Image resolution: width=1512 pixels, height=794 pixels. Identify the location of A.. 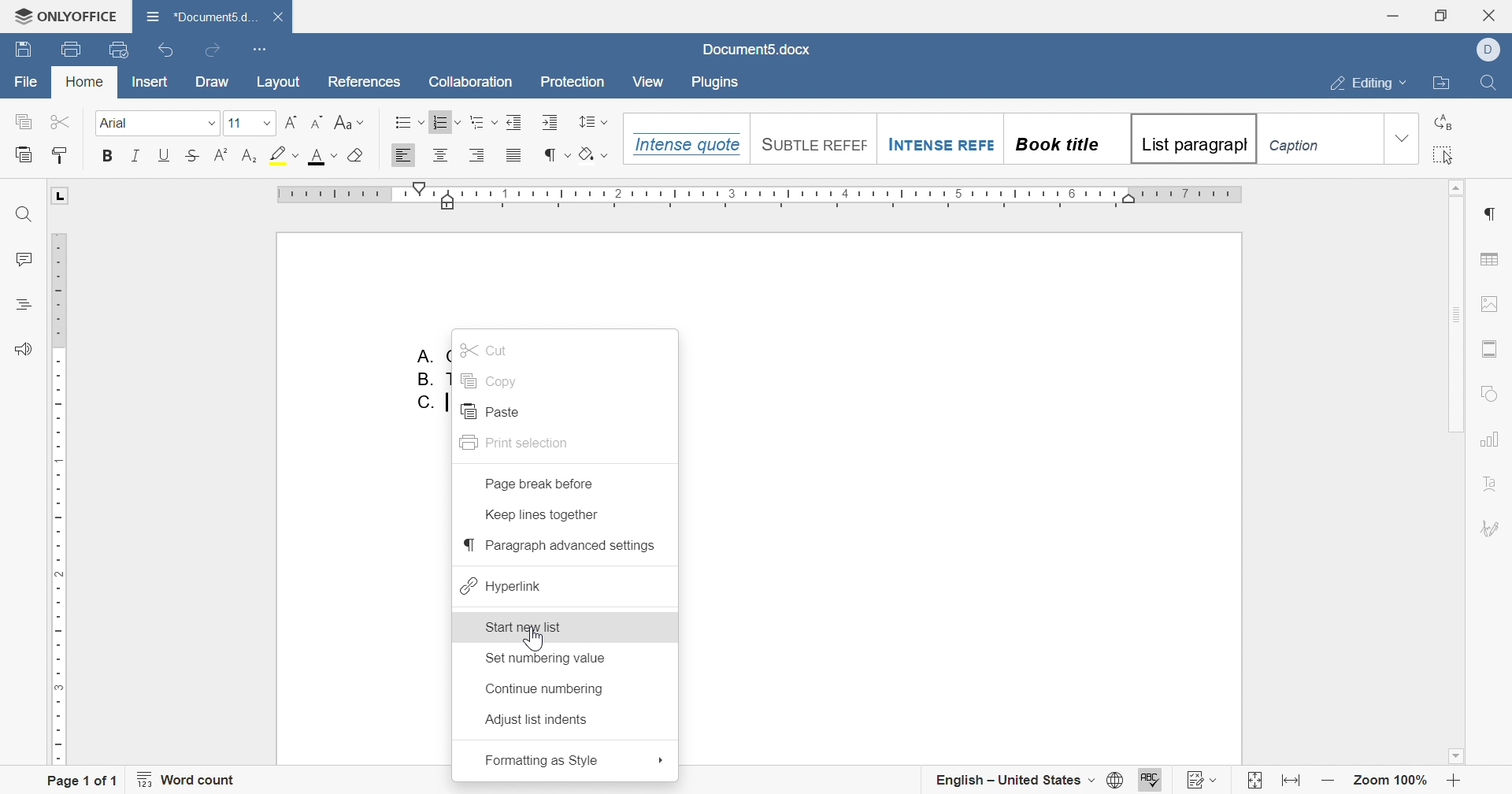
(424, 355).